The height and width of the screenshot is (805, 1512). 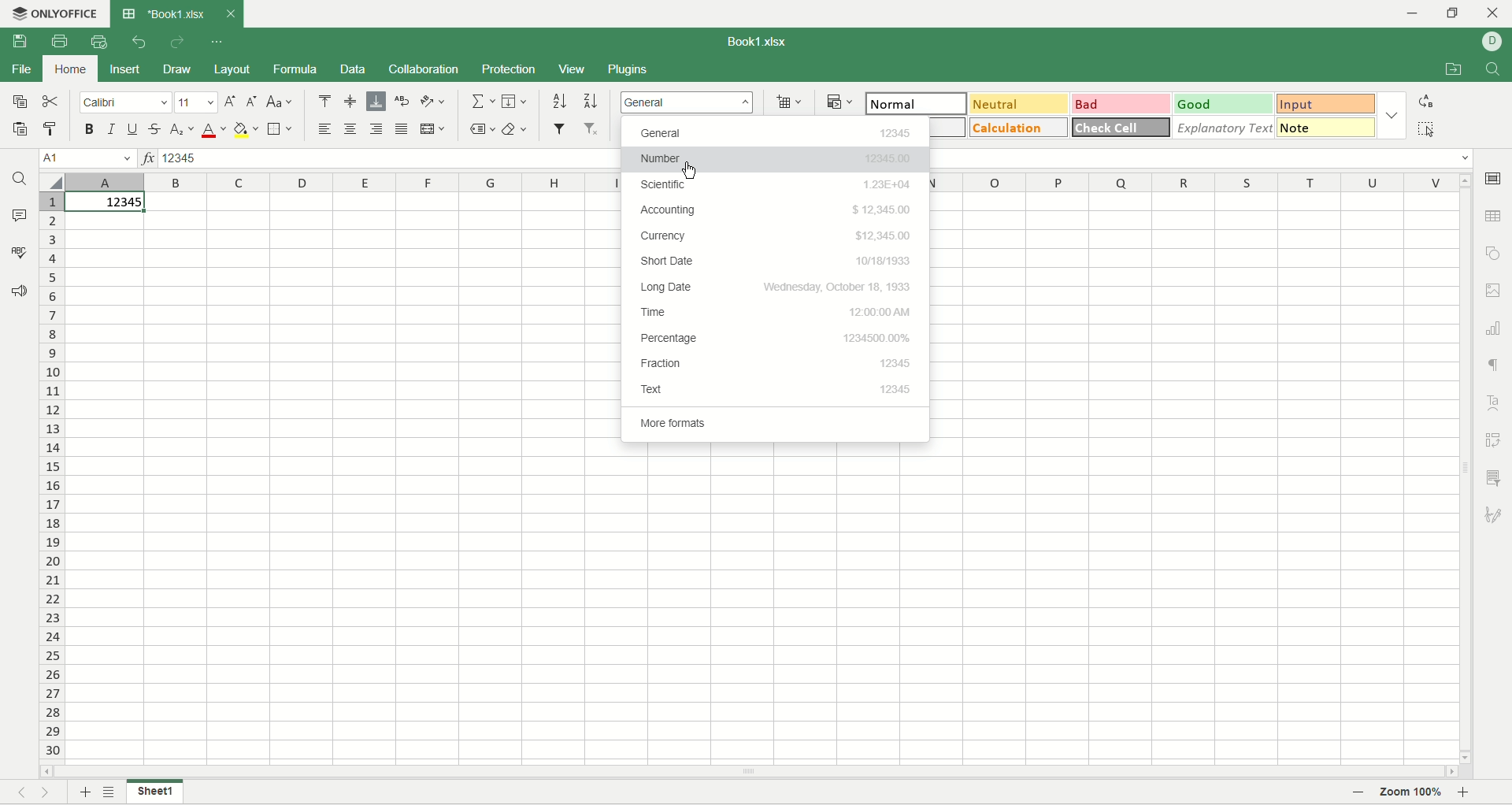 What do you see at coordinates (1222, 102) in the screenshot?
I see `good` at bounding box center [1222, 102].